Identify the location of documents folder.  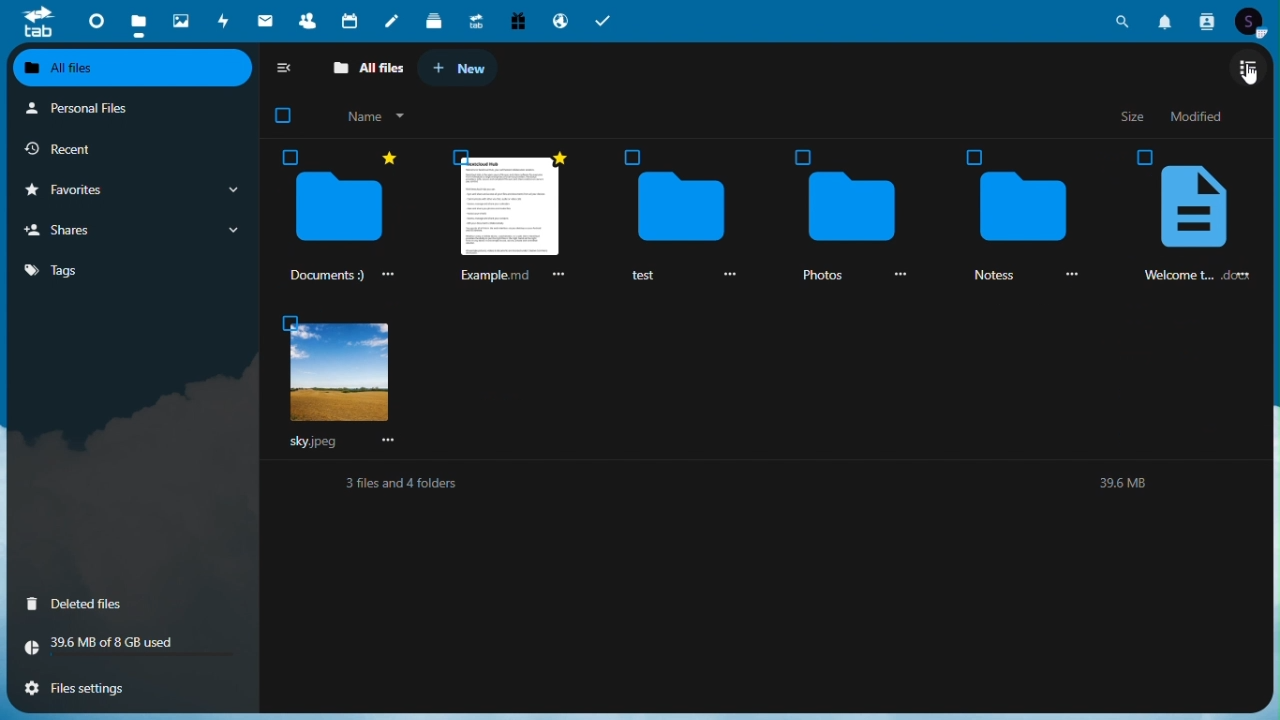
(340, 210).